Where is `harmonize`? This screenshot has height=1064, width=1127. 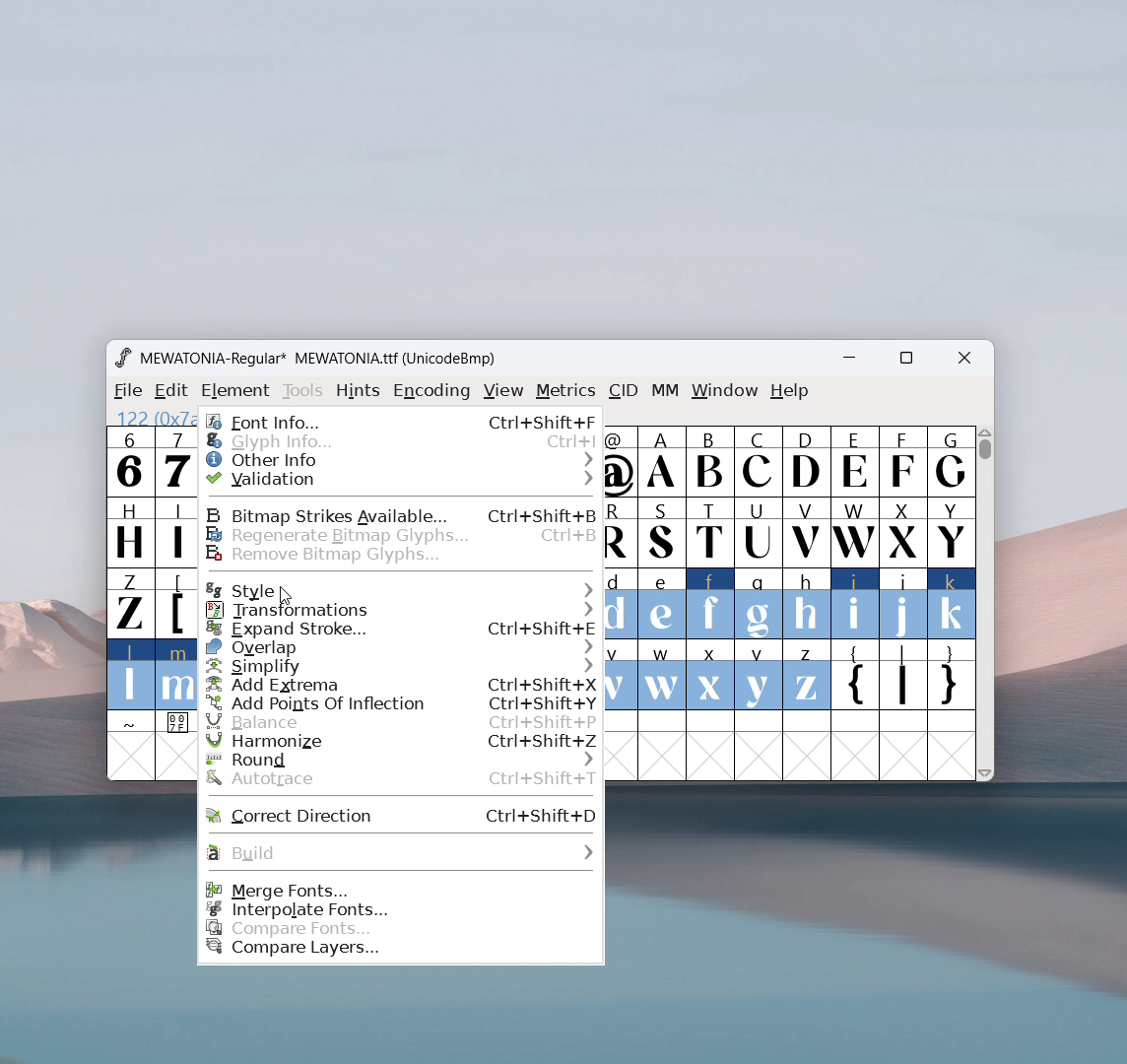
harmonize is located at coordinates (402, 742).